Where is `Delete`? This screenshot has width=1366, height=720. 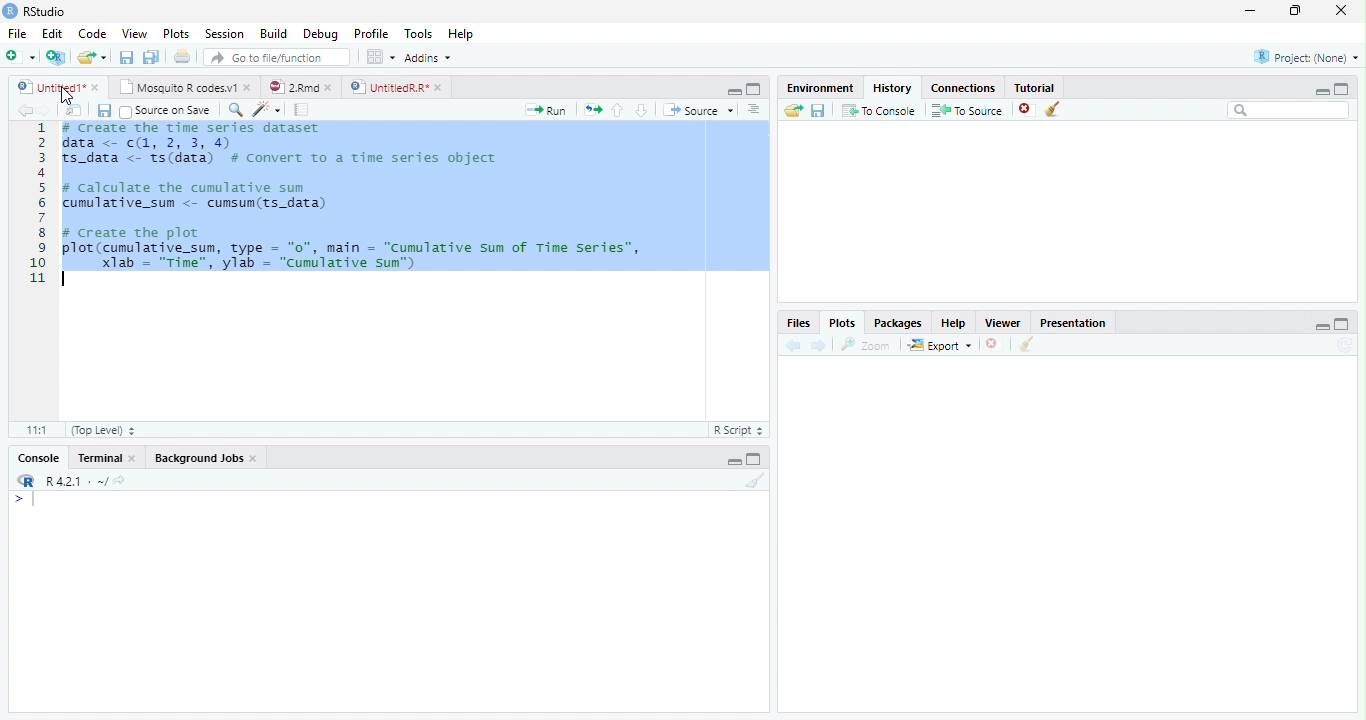 Delete is located at coordinates (992, 344).